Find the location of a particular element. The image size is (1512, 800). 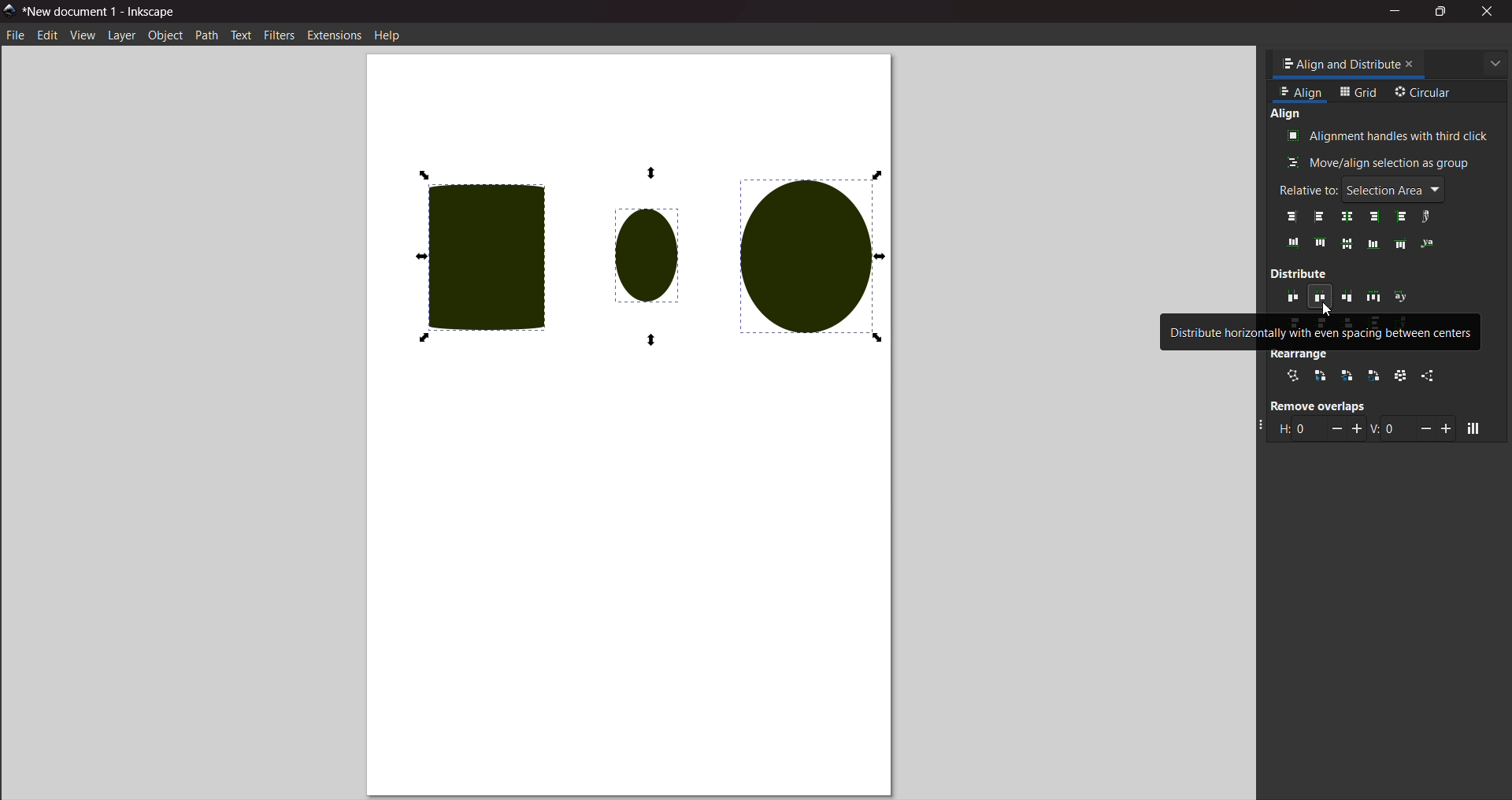

distribute horizontally with even spacing between centers is located at coordinates (1319, 298).